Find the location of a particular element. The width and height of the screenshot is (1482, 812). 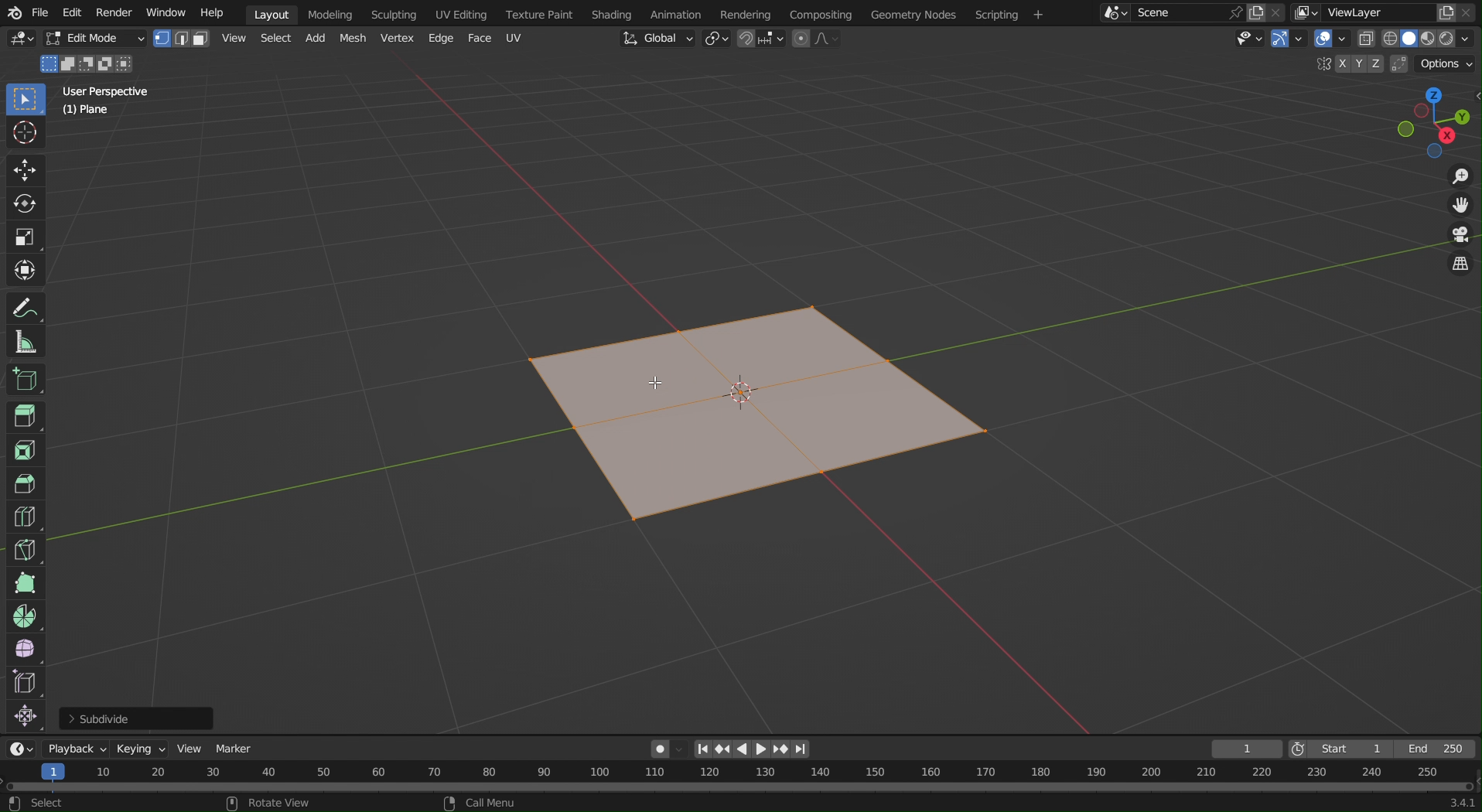

Vertex is located at coordinates (396, 39).